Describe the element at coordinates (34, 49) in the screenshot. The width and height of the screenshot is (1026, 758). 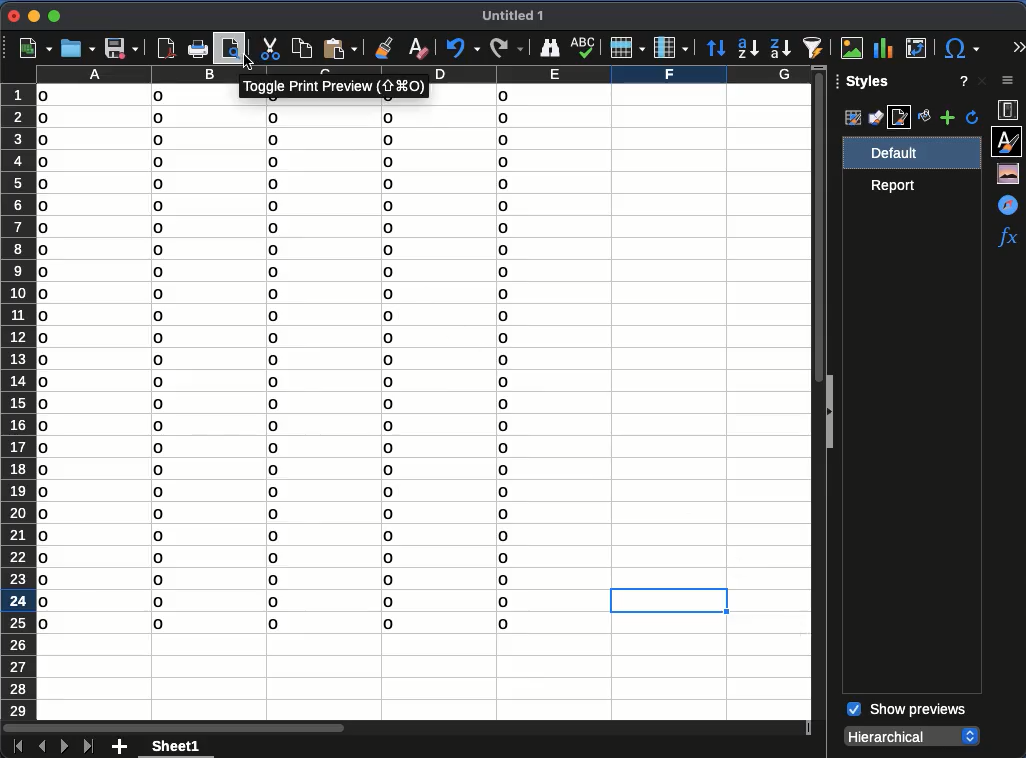
I see `new` at that location.